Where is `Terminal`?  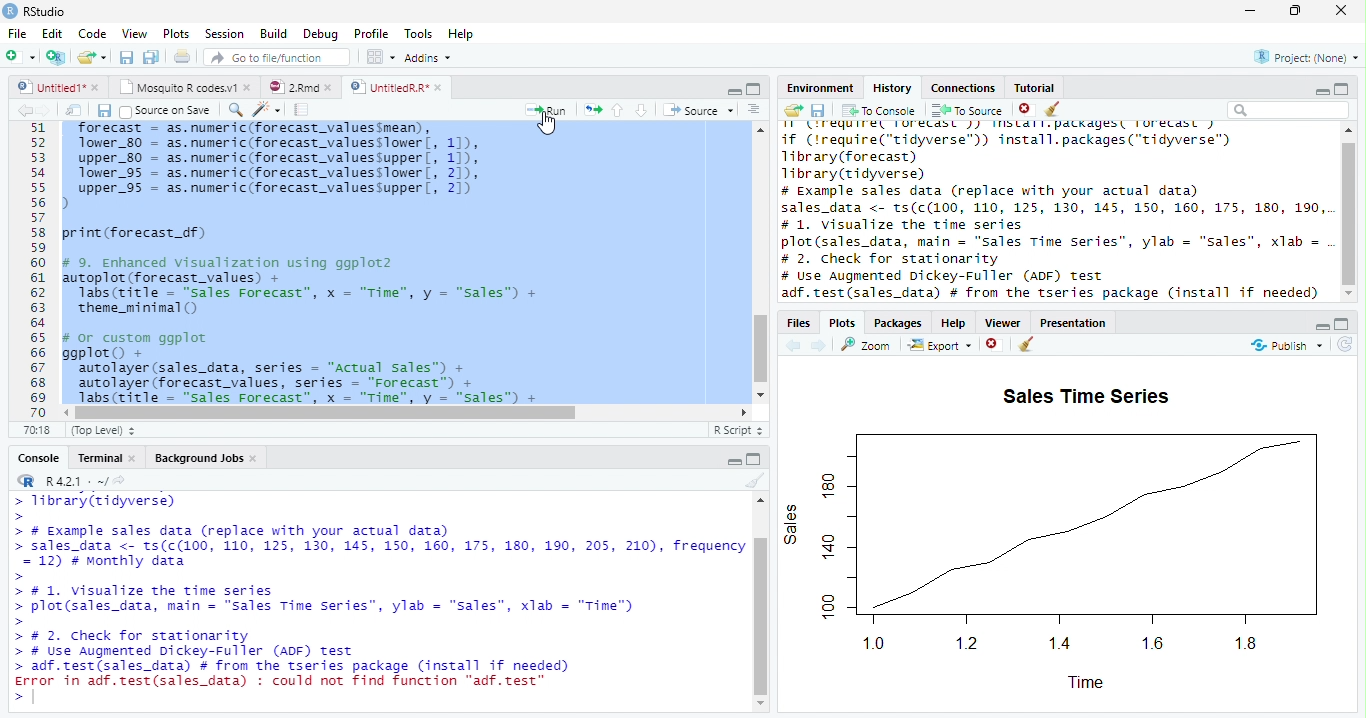 Terminal is located at coordinates (106, 457).